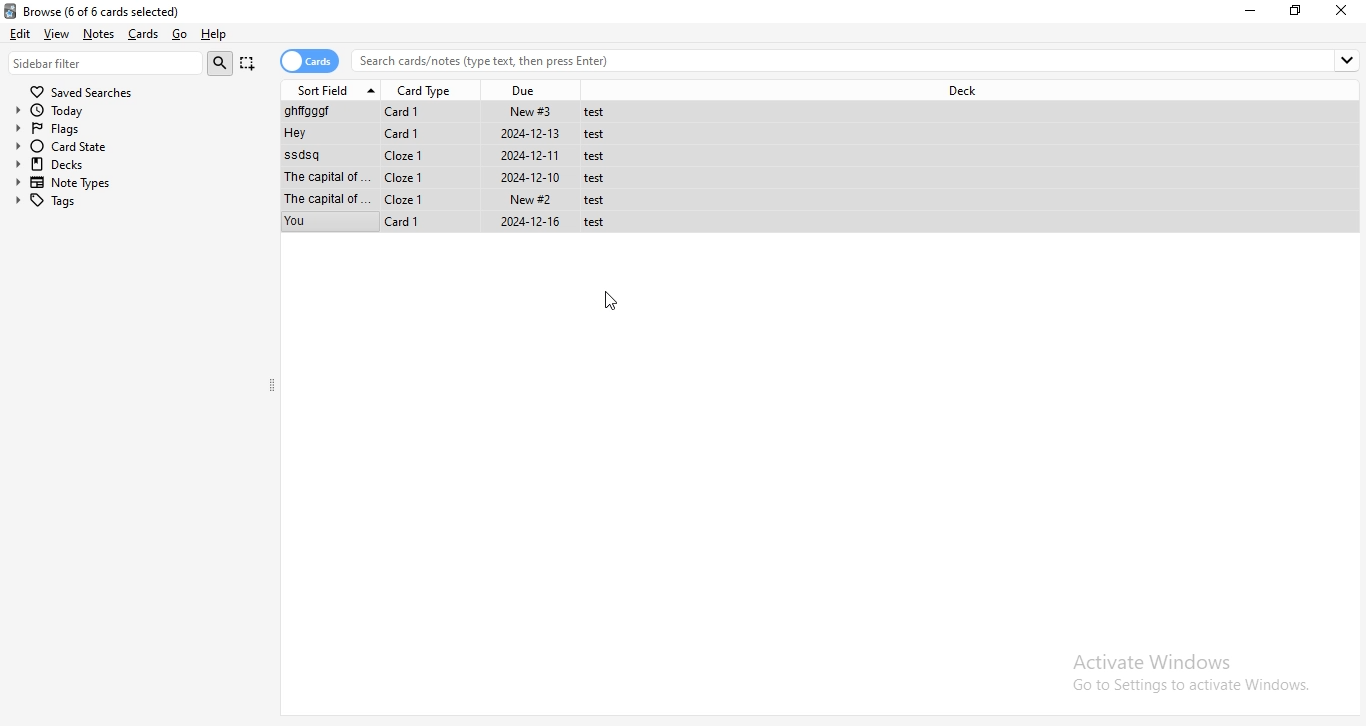 The image size is (1366, 726). Describe the element at coordinates (1299, 11) in the screenshot. I see `Maximize` at that location.